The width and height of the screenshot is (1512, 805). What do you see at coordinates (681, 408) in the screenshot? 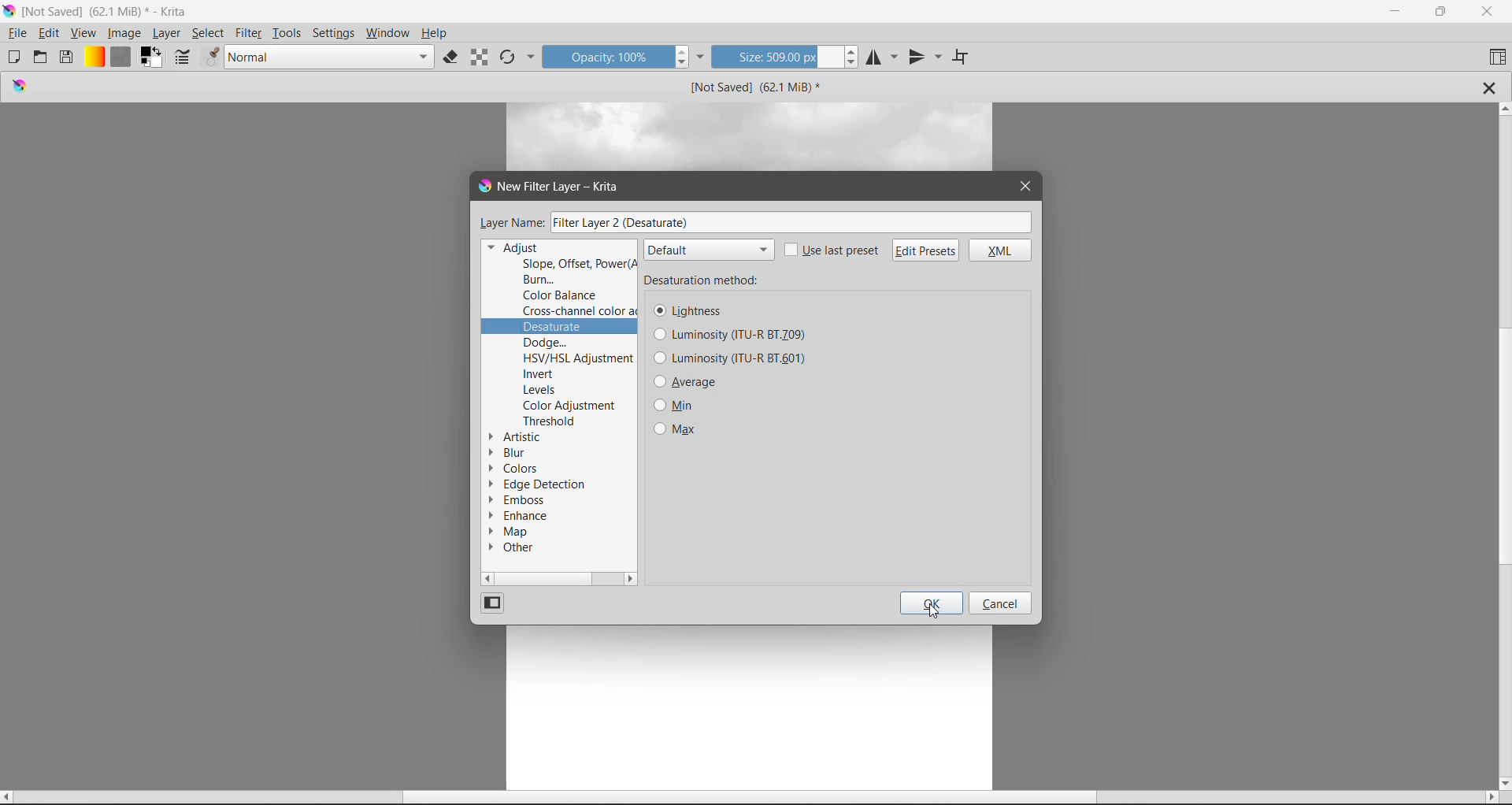
I see `Min` at bounding box center [681, 408].